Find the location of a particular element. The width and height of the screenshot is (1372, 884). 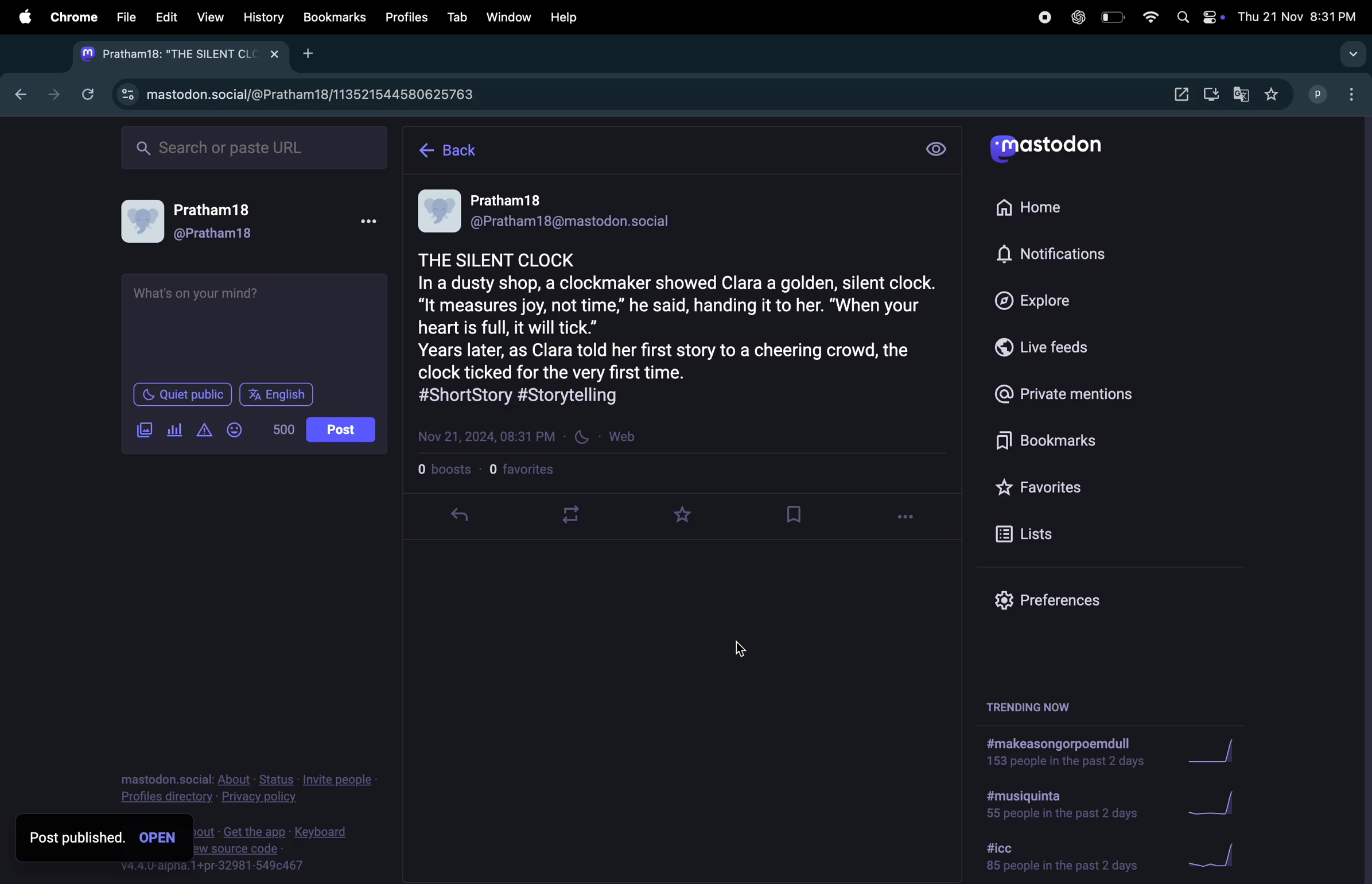

trending now is located at coordinates (1036, 704).